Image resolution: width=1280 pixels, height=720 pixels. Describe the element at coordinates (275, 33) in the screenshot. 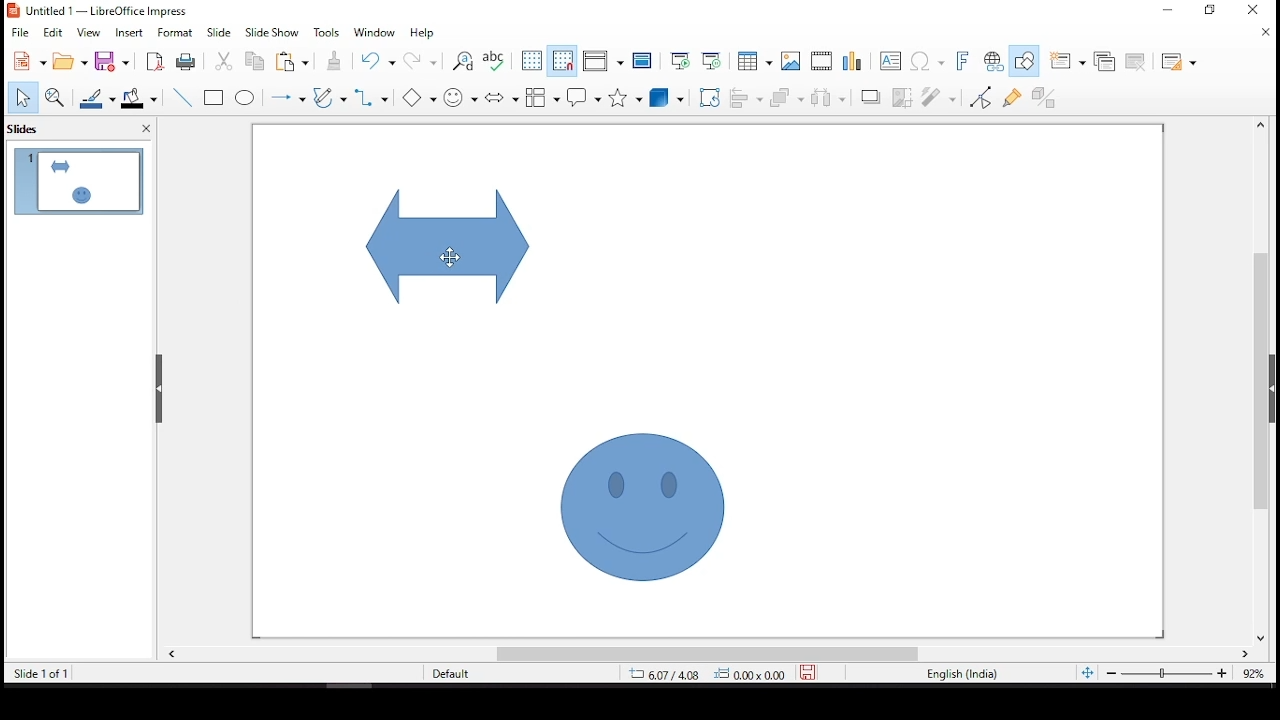

I see `slide show` at that location.